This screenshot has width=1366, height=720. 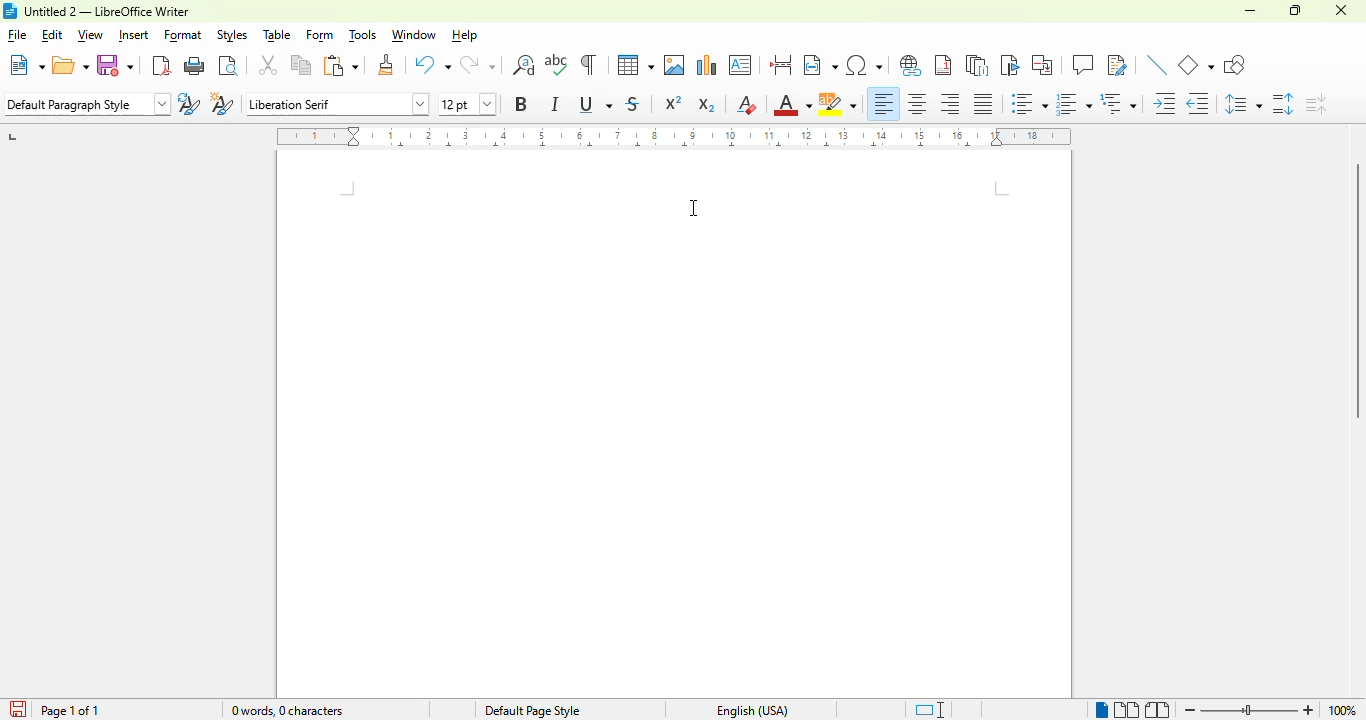 What do you see at coordinates (792, 105) in the screenshot?
I see `font color` at bounding box center [792, 105].